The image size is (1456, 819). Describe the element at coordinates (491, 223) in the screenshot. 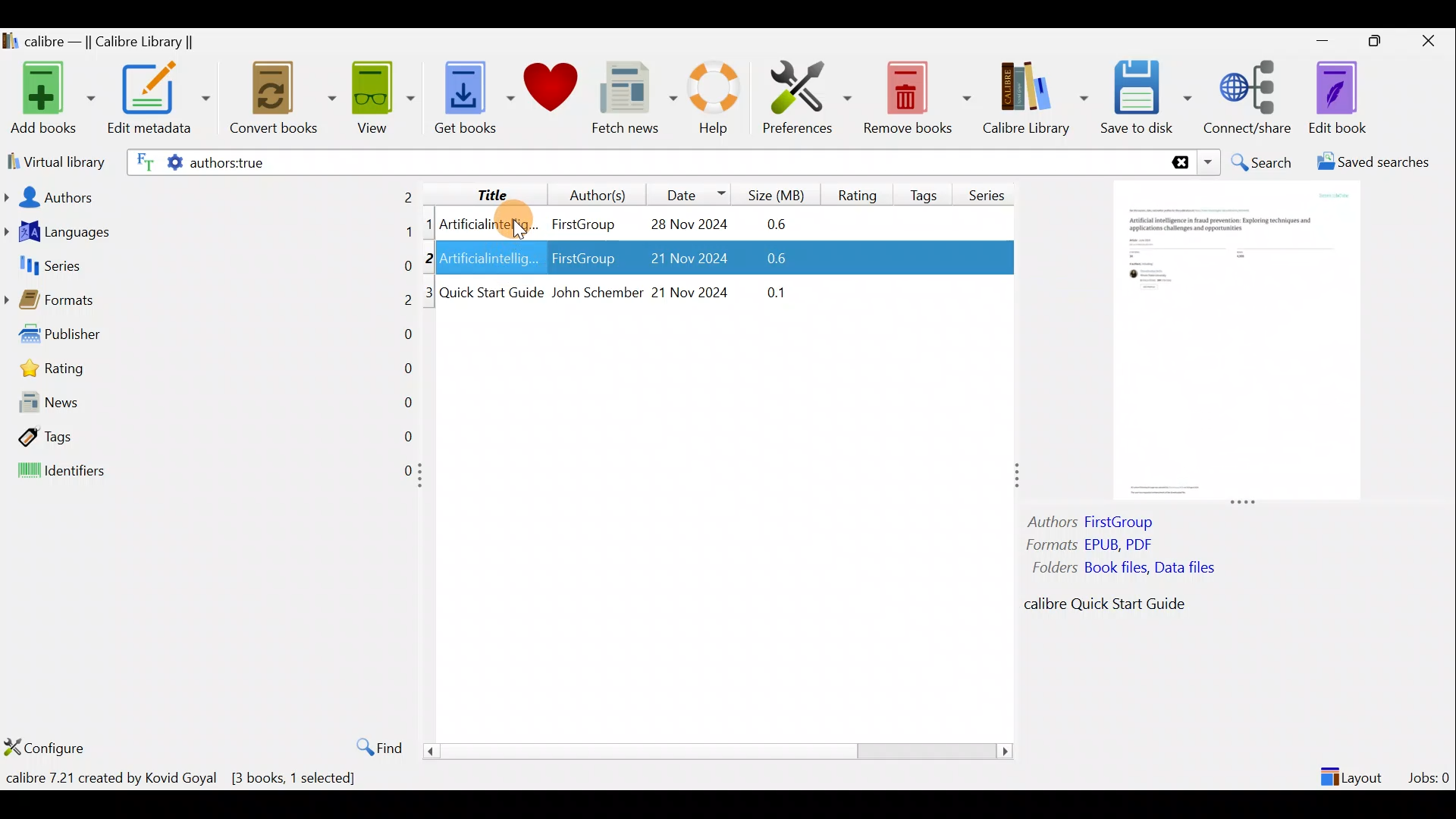

I see `Artificialintellig...` at that location.